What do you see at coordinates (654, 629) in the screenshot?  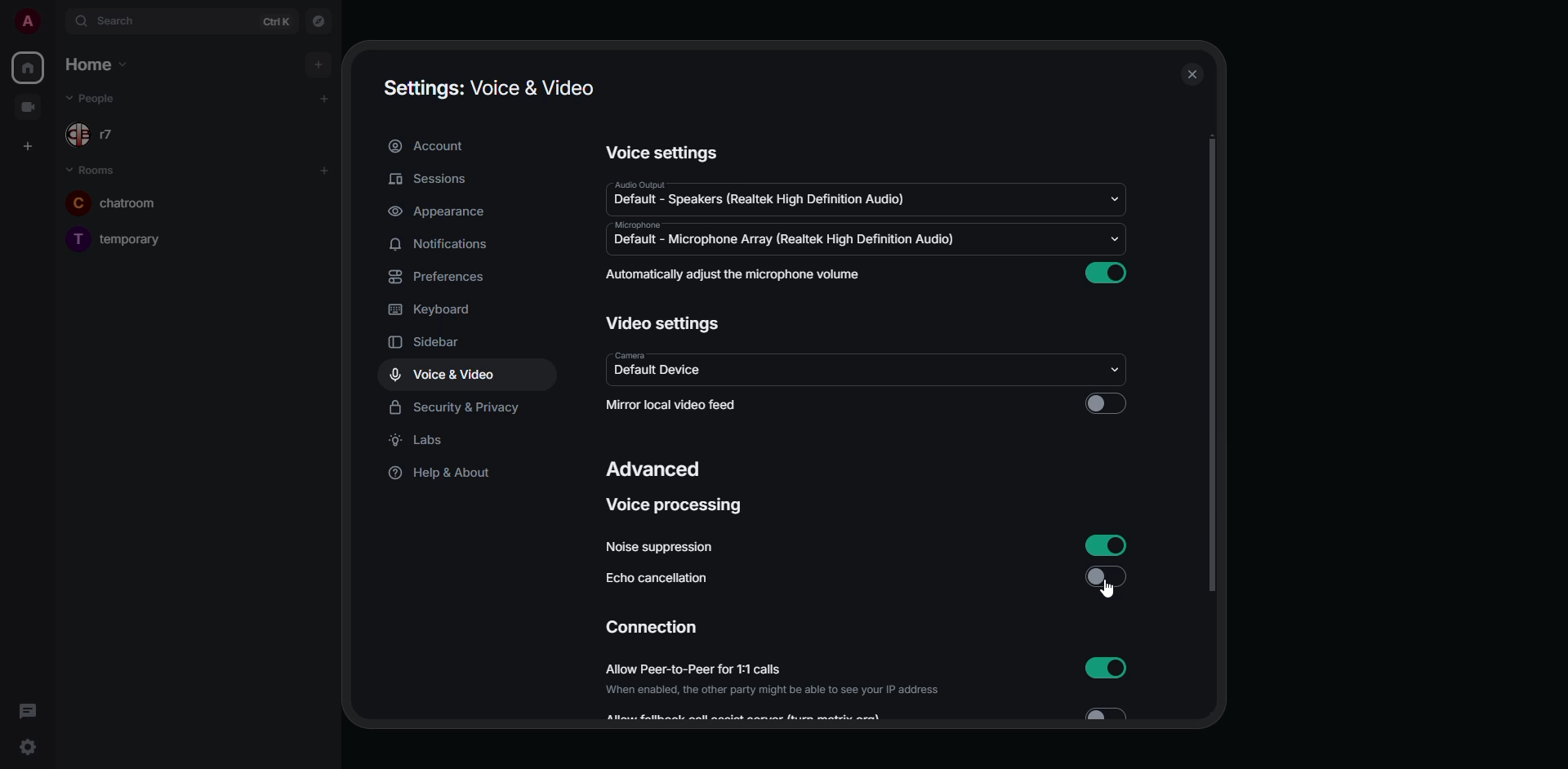 I see `connection` at bounding box center [654, 629].